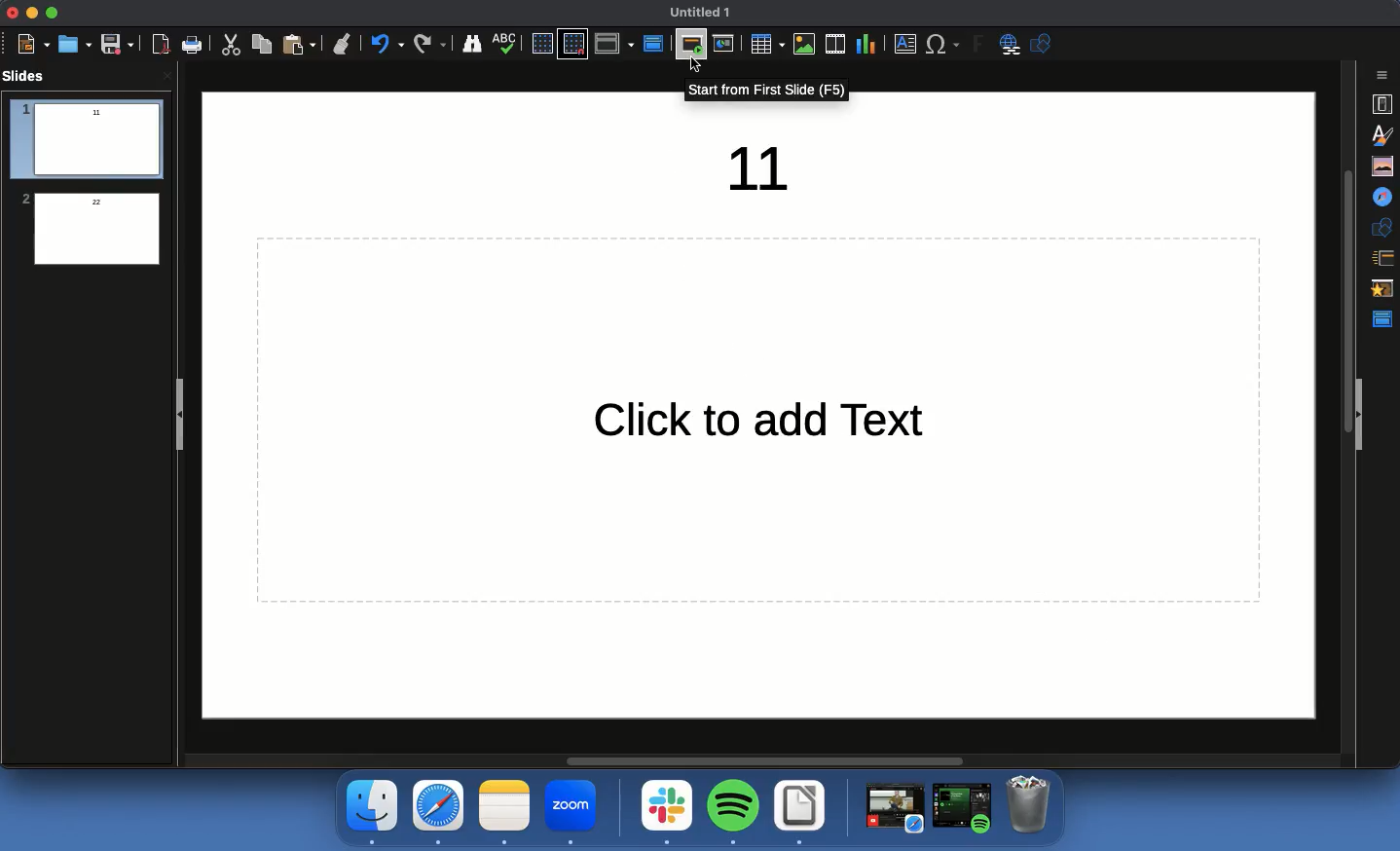  What do you see at coordinates (540, 44) in the screenshot?
I see `Display grid` at bounding box center [540, 44].